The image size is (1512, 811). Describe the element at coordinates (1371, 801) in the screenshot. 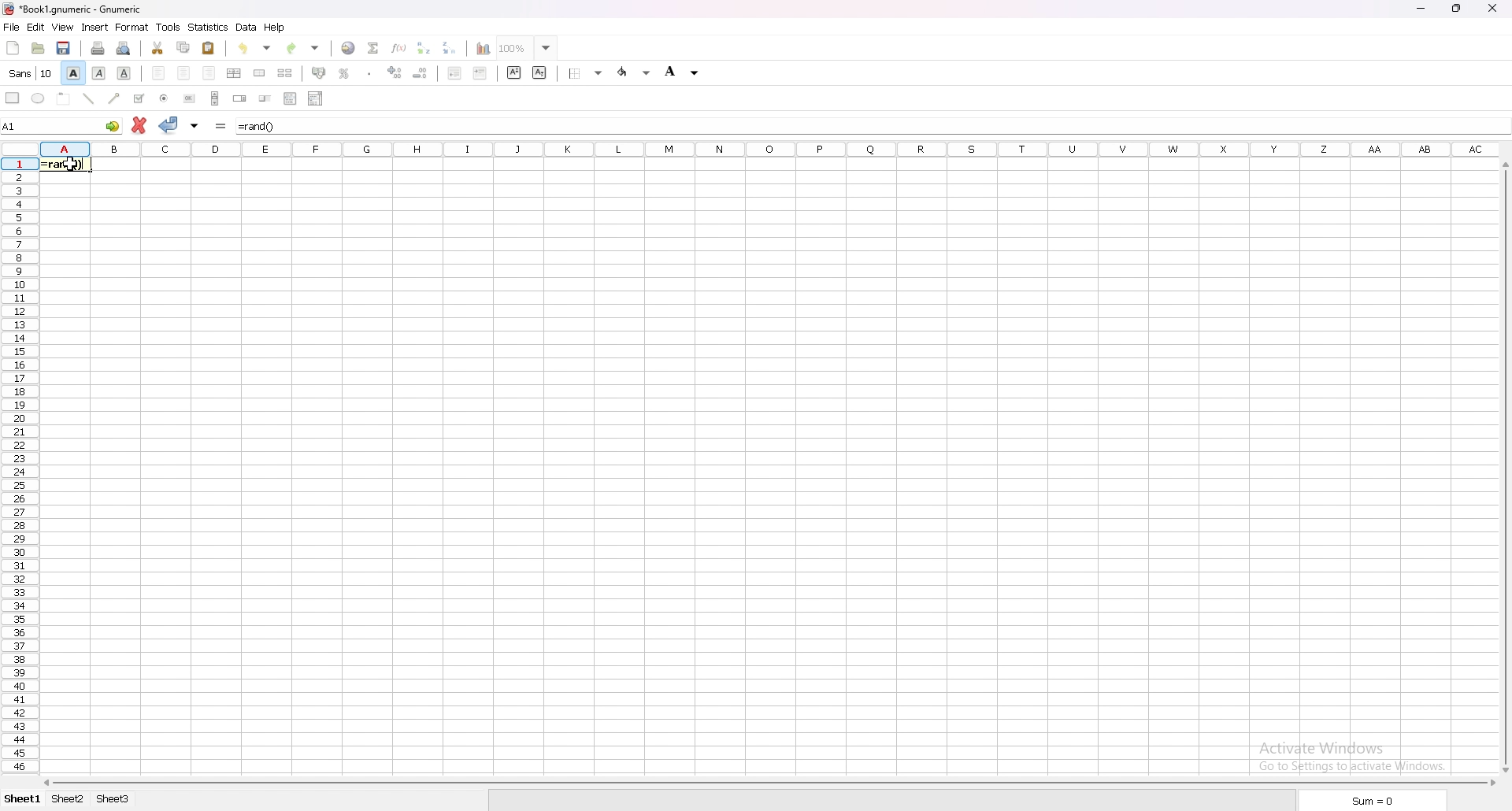

I see `sum` at that location.